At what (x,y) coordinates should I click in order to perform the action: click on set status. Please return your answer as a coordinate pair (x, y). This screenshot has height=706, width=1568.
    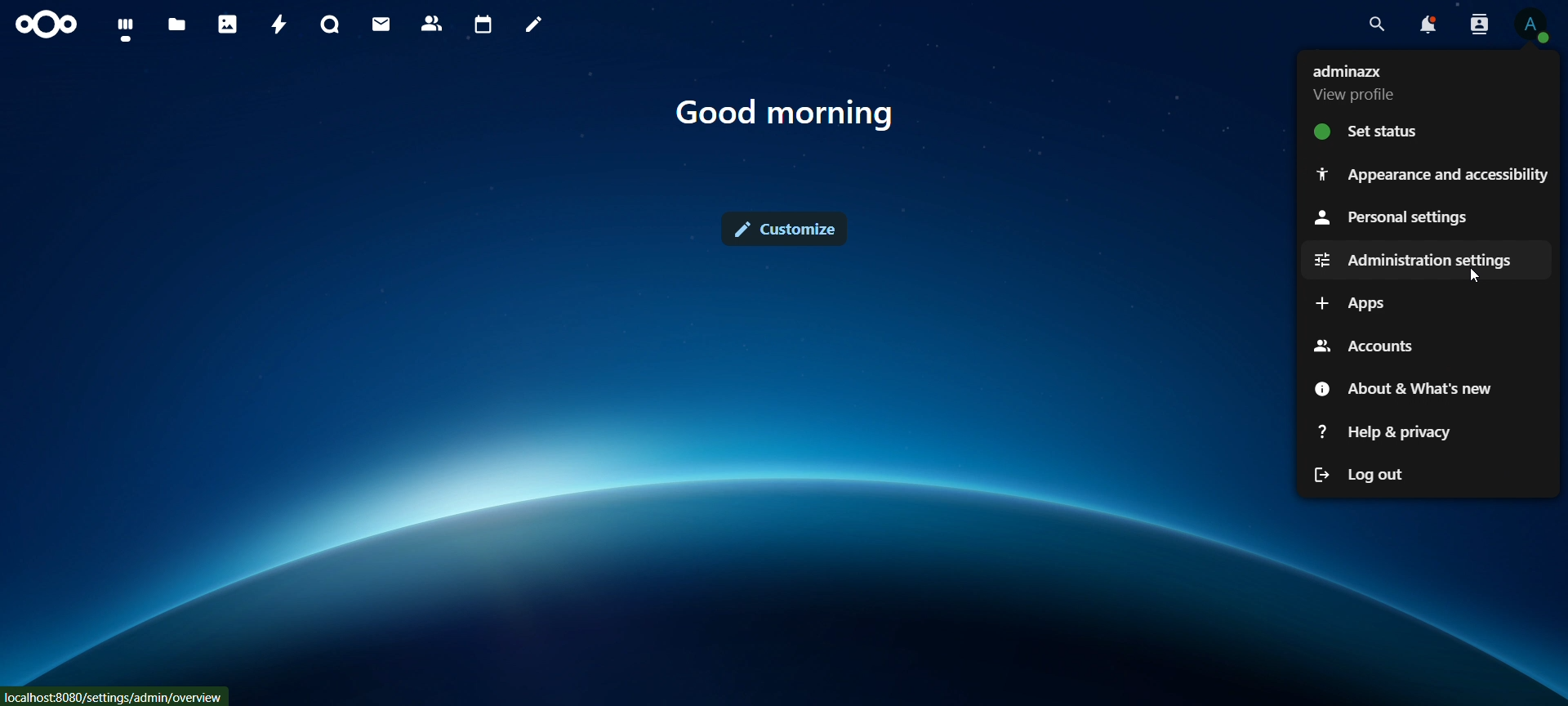
    Looking at the image, I should click on (1389, 130).